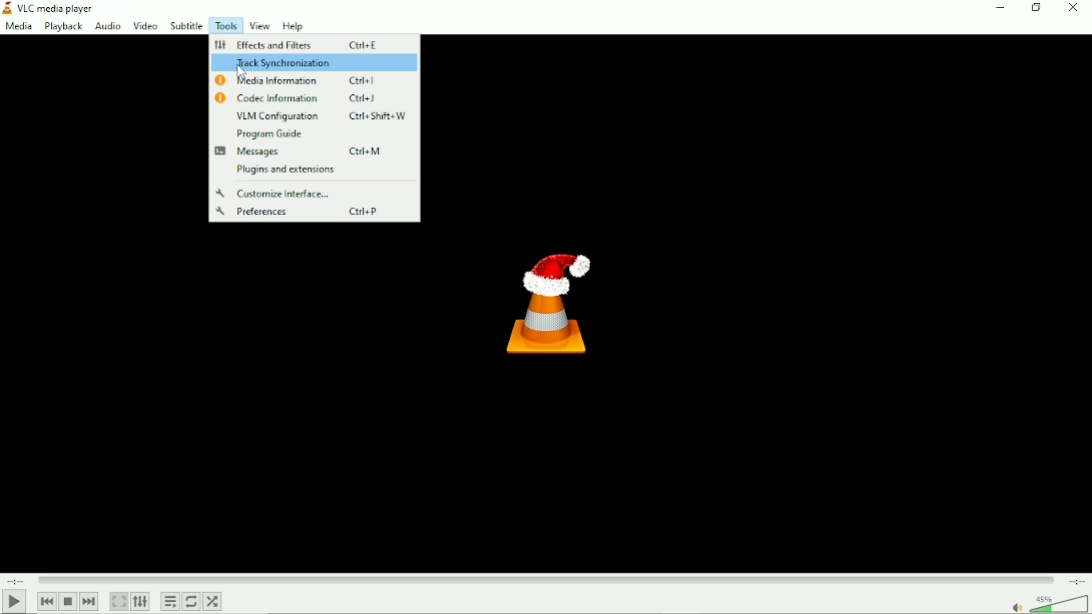 This screenshot has width=1092, height=614. I want to click on Messages, so click(313, 152).